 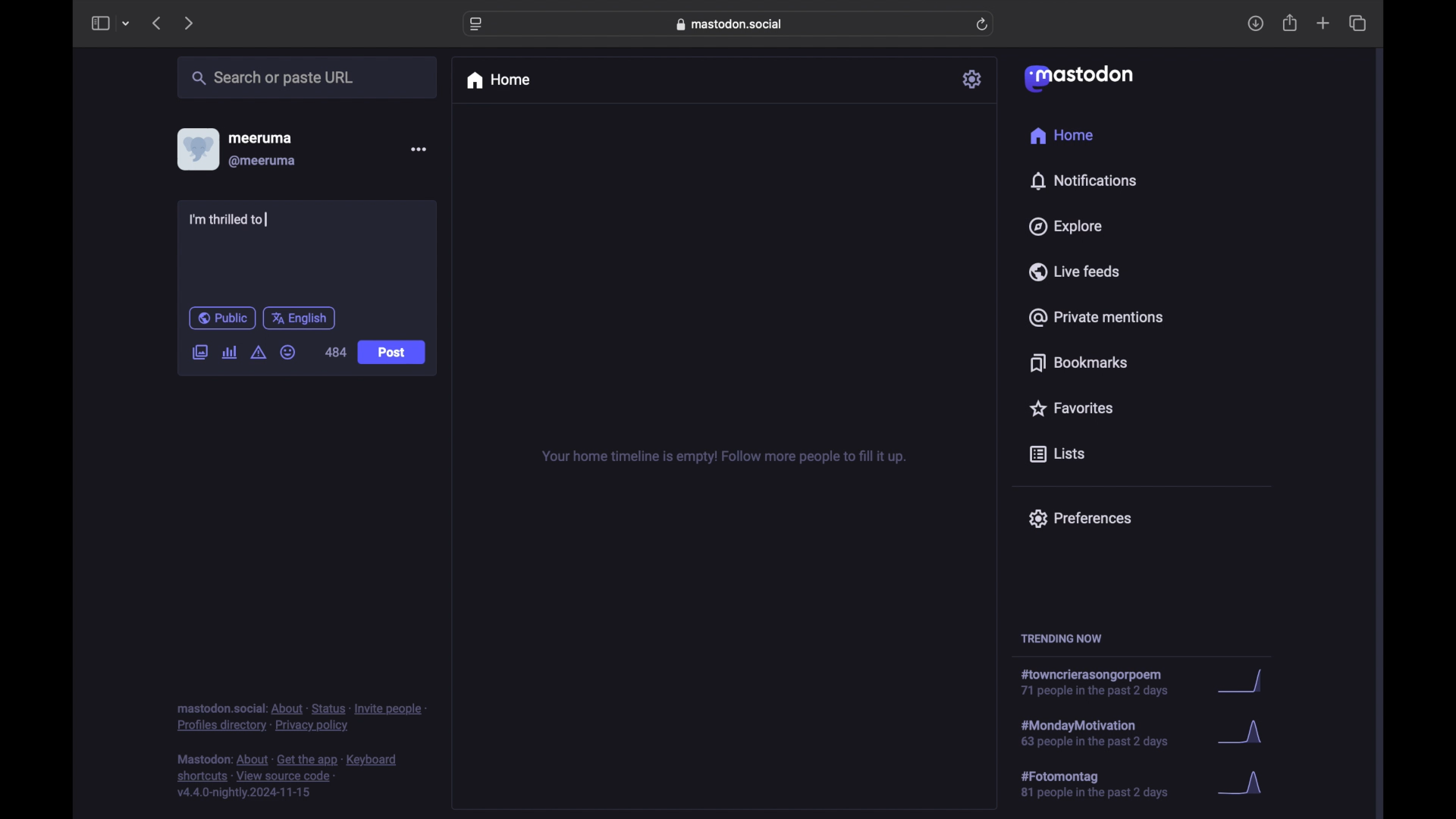 I want to click on I'm thrilled to, so click(x=228, y=221).